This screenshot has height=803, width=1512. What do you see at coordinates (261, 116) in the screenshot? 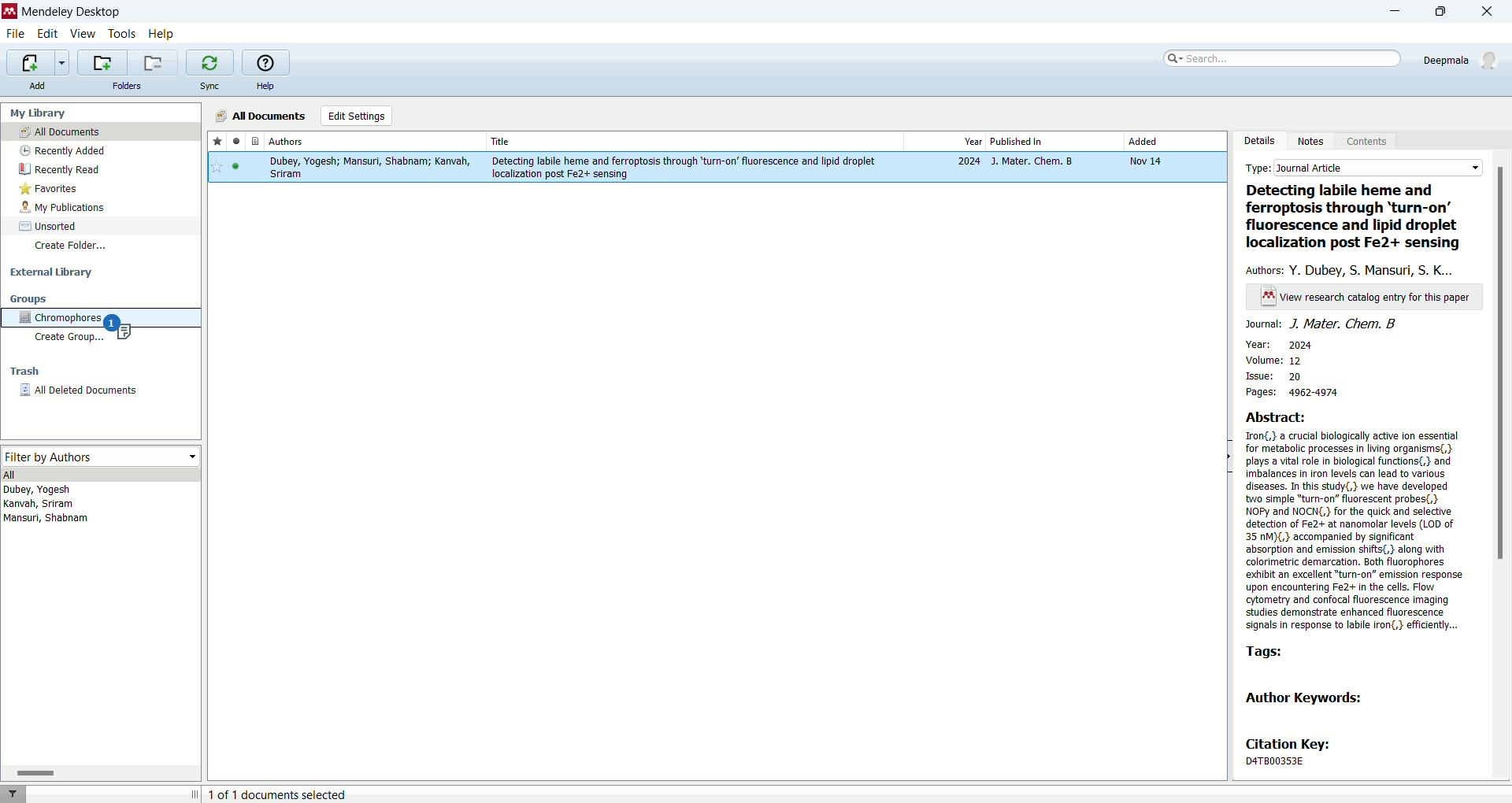
I see `all documents` at bounding box center [261, 116].